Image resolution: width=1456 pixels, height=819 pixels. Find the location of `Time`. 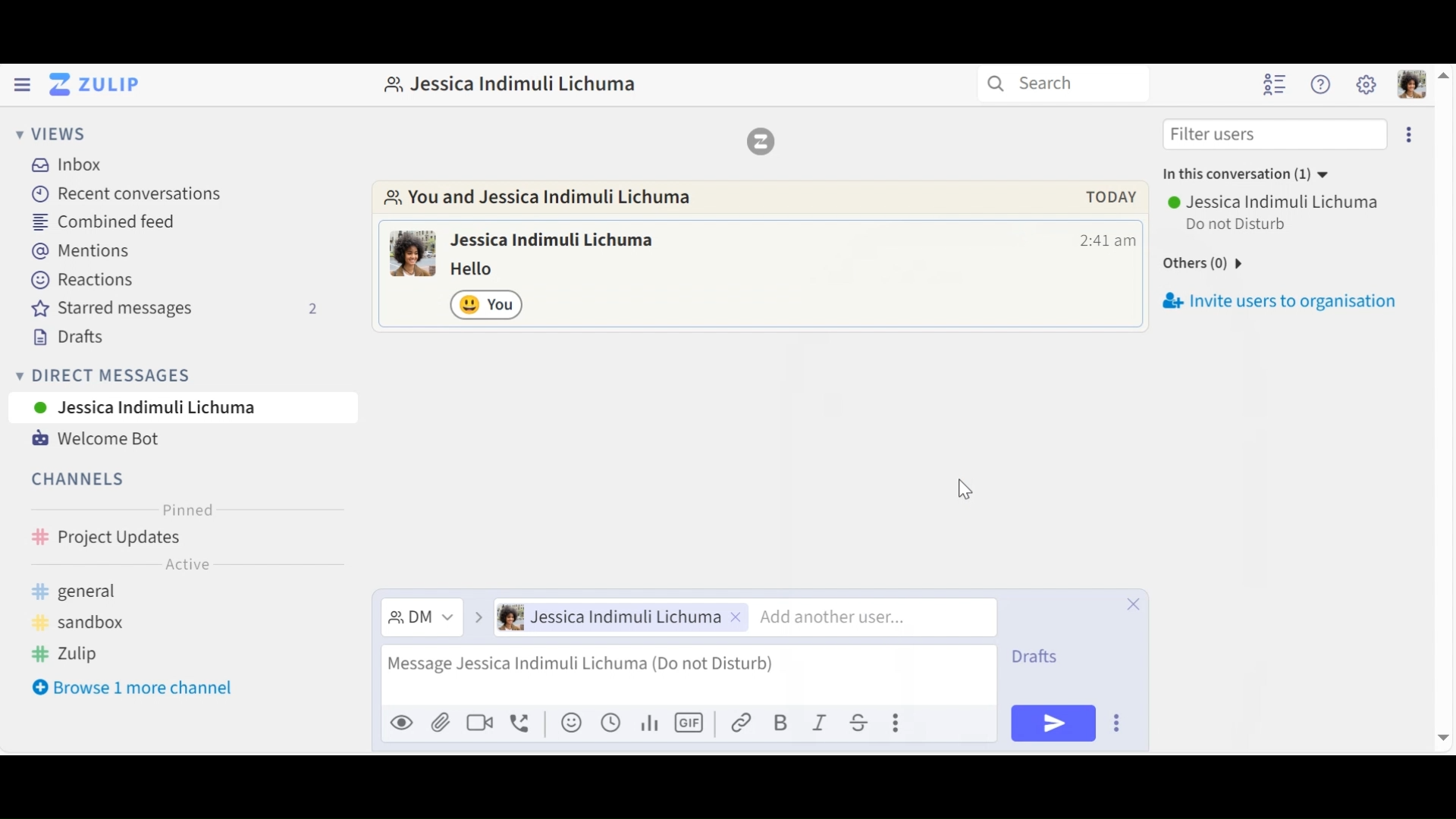

Time is located at coordinates (1109, 240).